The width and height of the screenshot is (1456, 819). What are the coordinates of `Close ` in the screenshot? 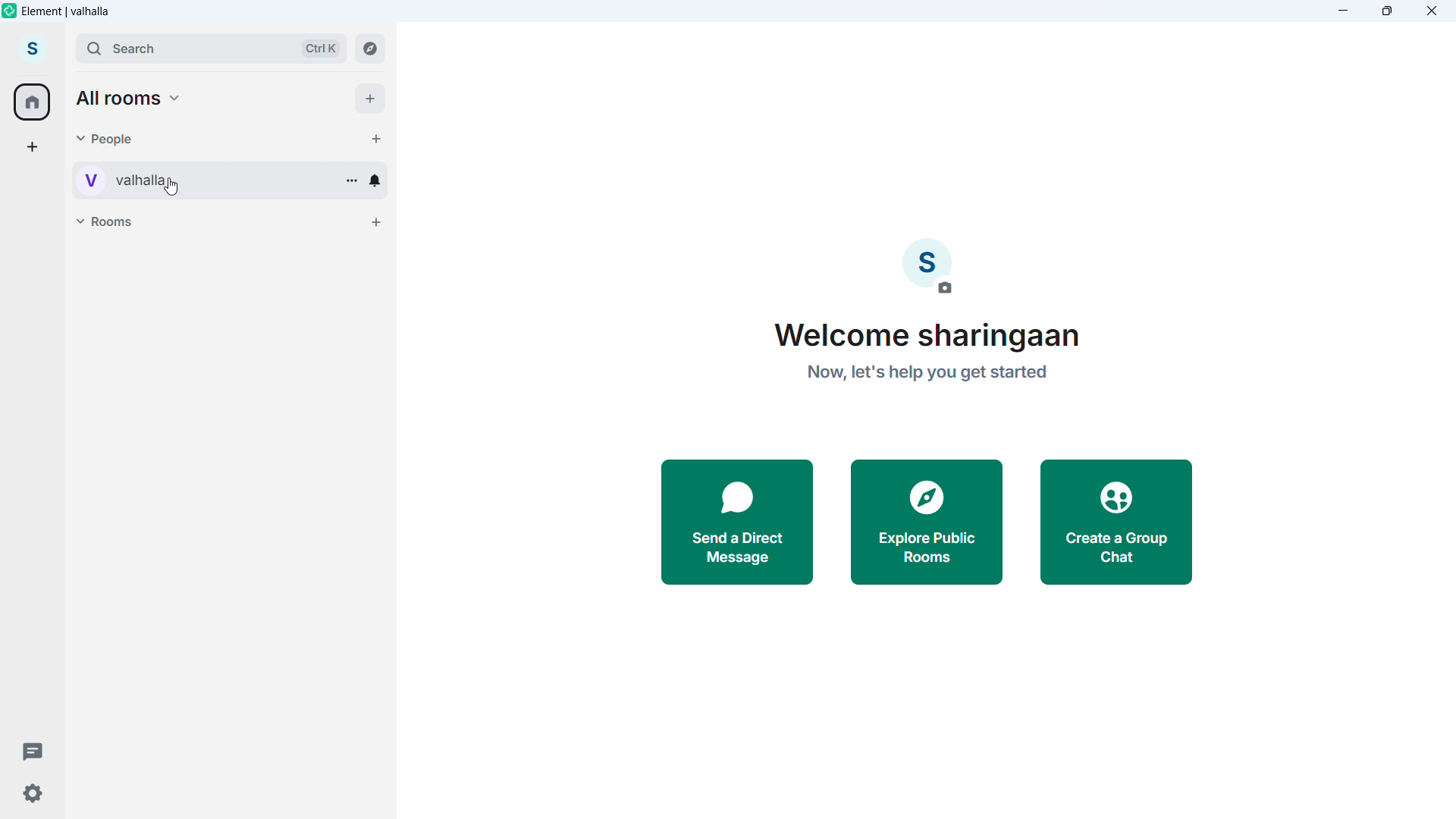 It's located at (1432, 11).